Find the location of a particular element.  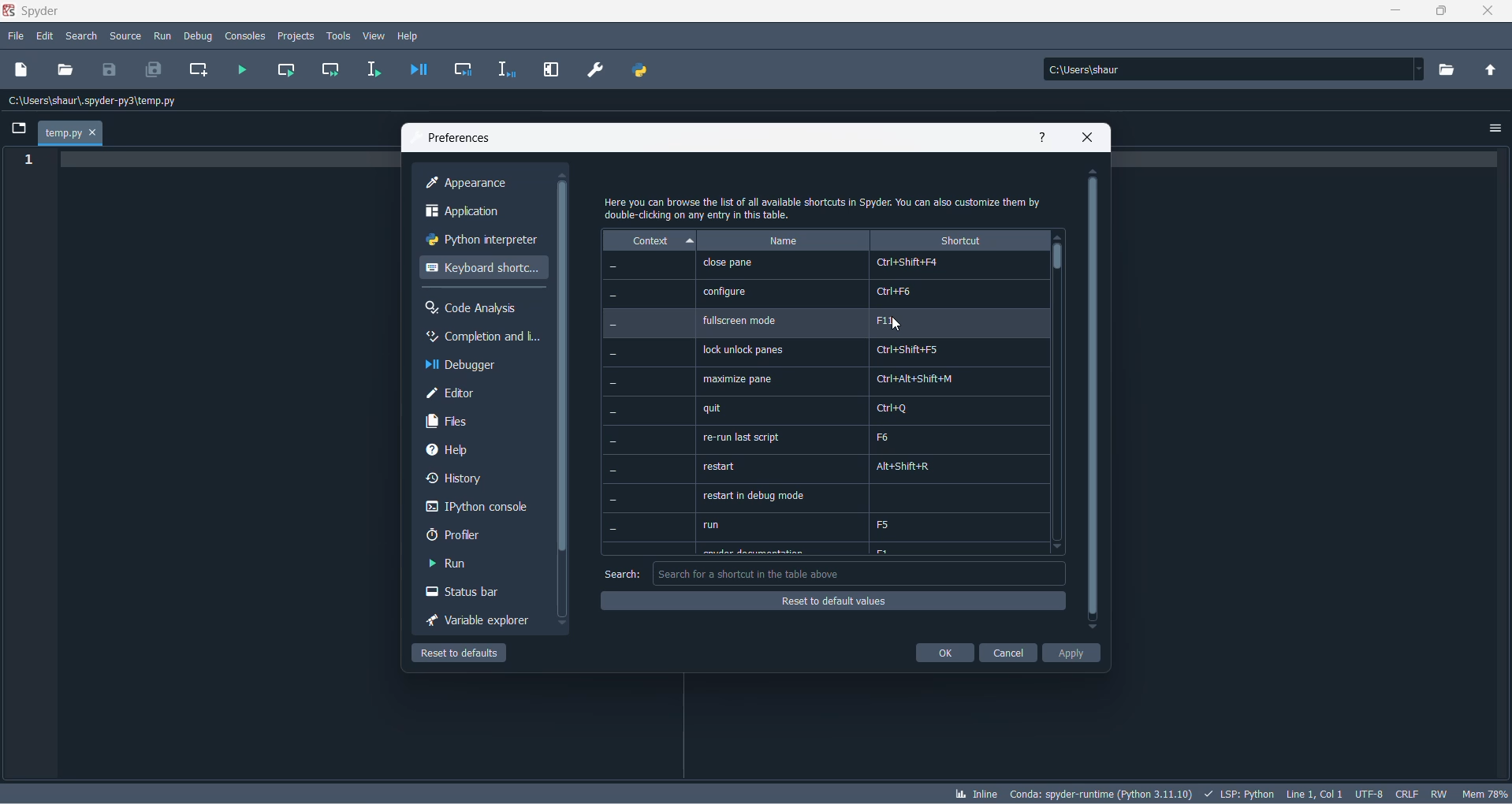

run is located at coordinates (162, 34).